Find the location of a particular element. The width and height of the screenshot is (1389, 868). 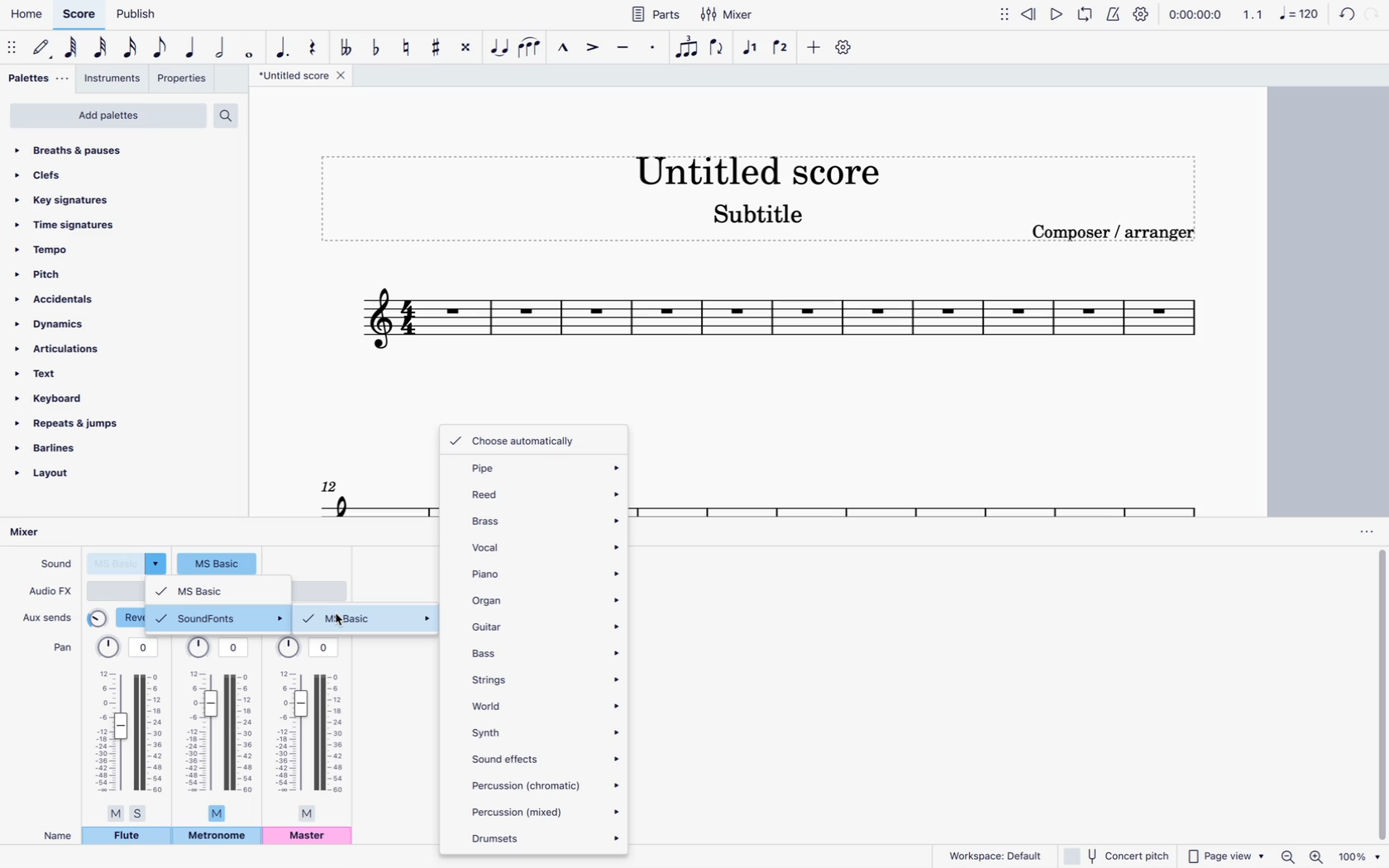

score is located at coordinates (79, 15).